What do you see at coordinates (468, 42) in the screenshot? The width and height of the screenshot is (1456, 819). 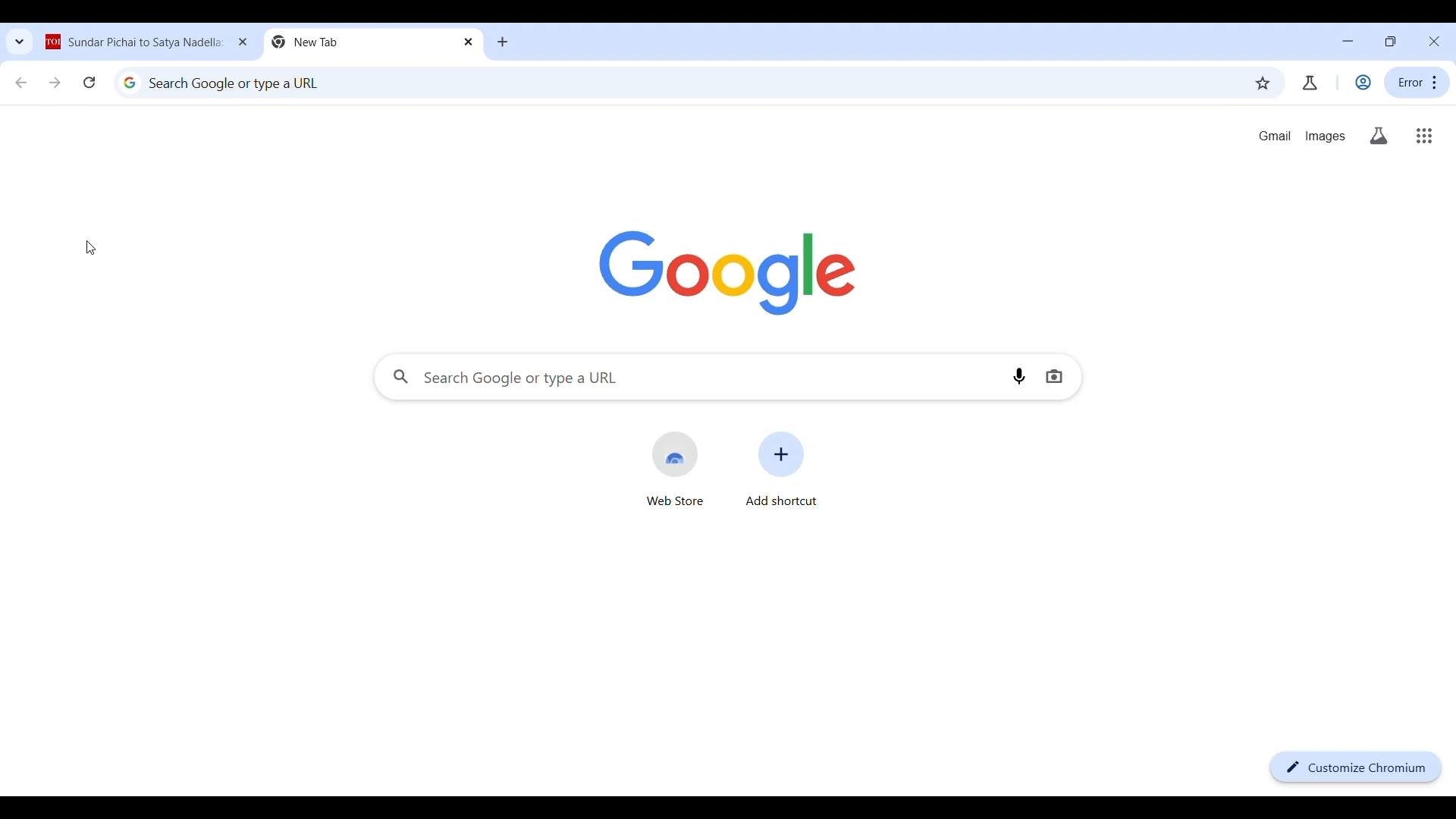 I see `Close current tab` at bounding box center [468, 42].